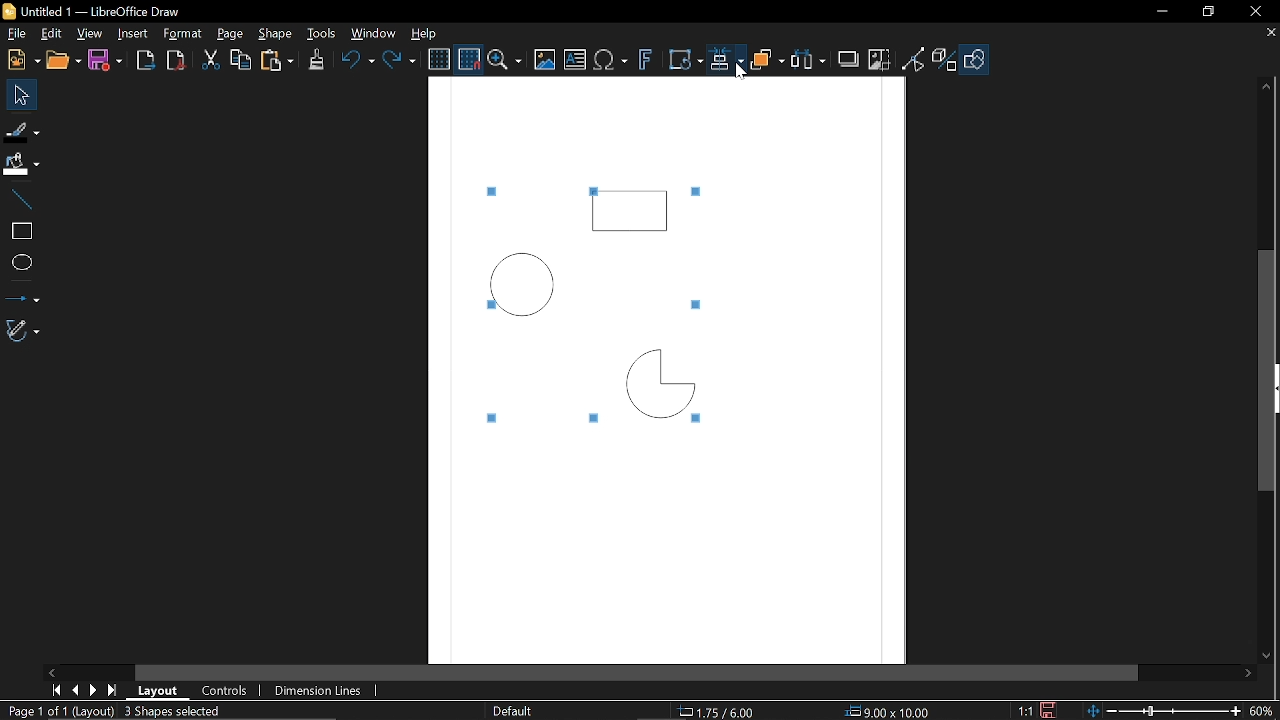 This screenshot has height=720, width=1280. I want to click on Page, so click(226, 35).